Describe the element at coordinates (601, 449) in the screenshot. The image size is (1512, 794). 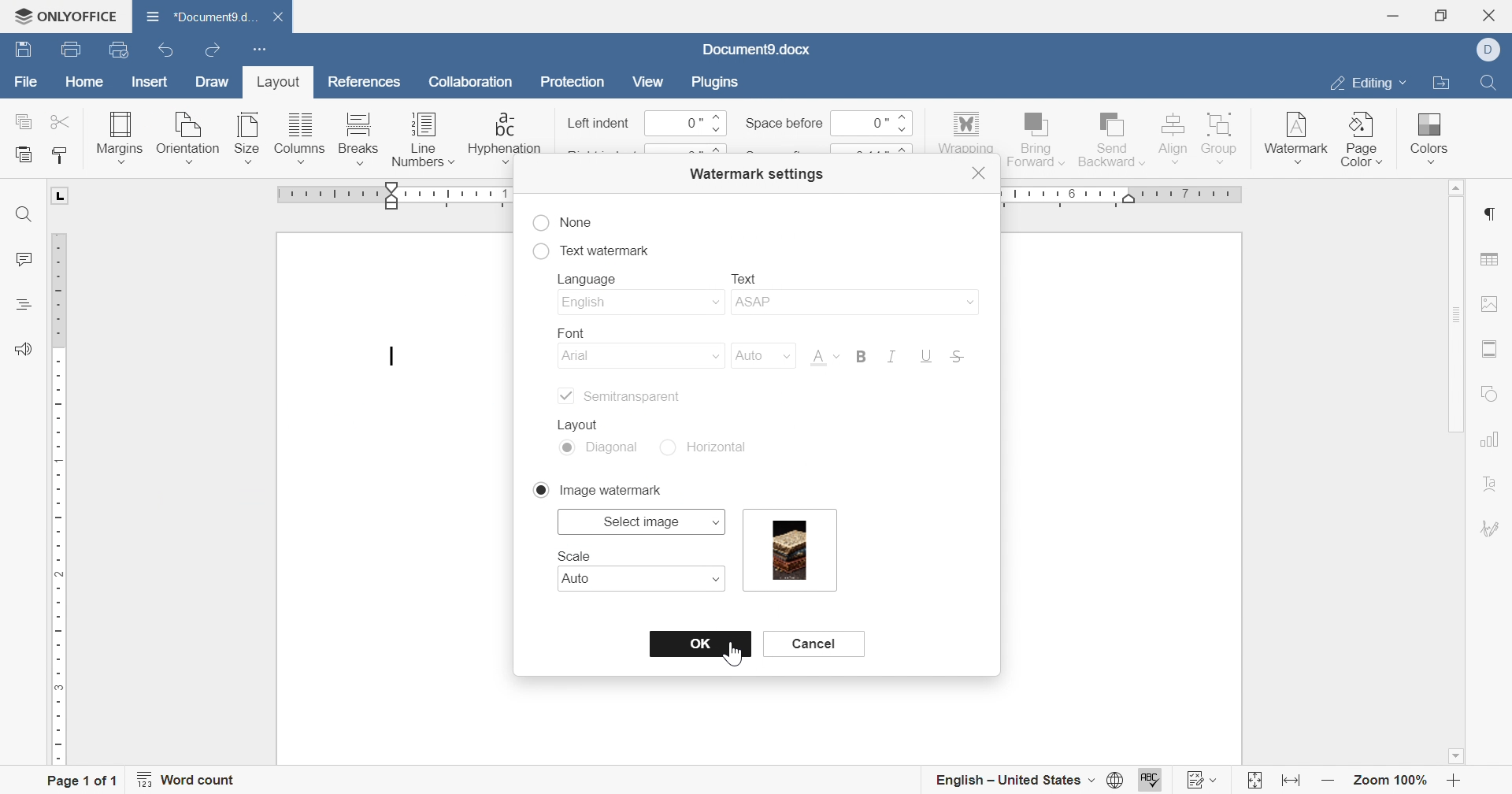
I see `diagonal` at that location.